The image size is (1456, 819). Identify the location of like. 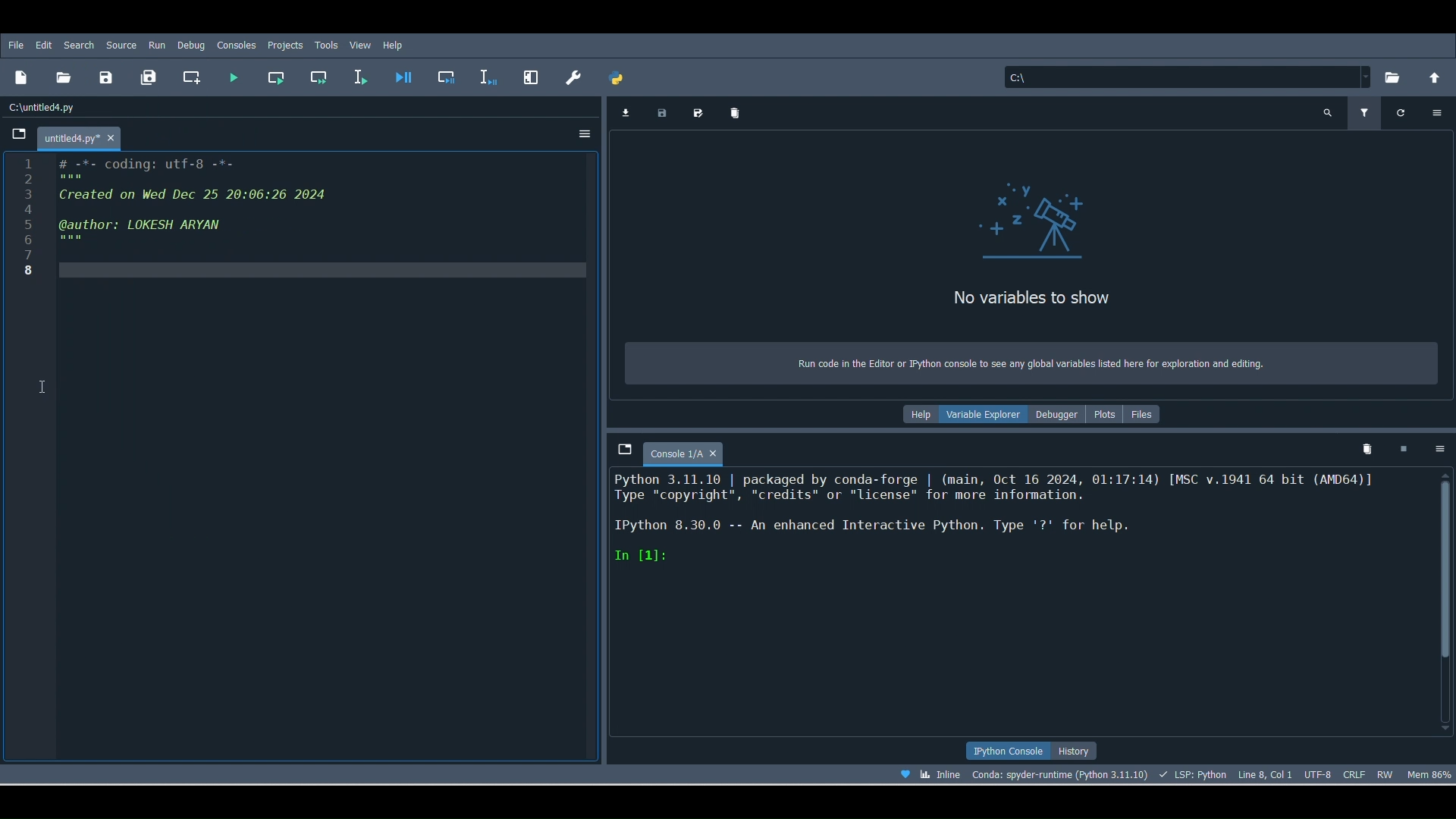
(900, 772).